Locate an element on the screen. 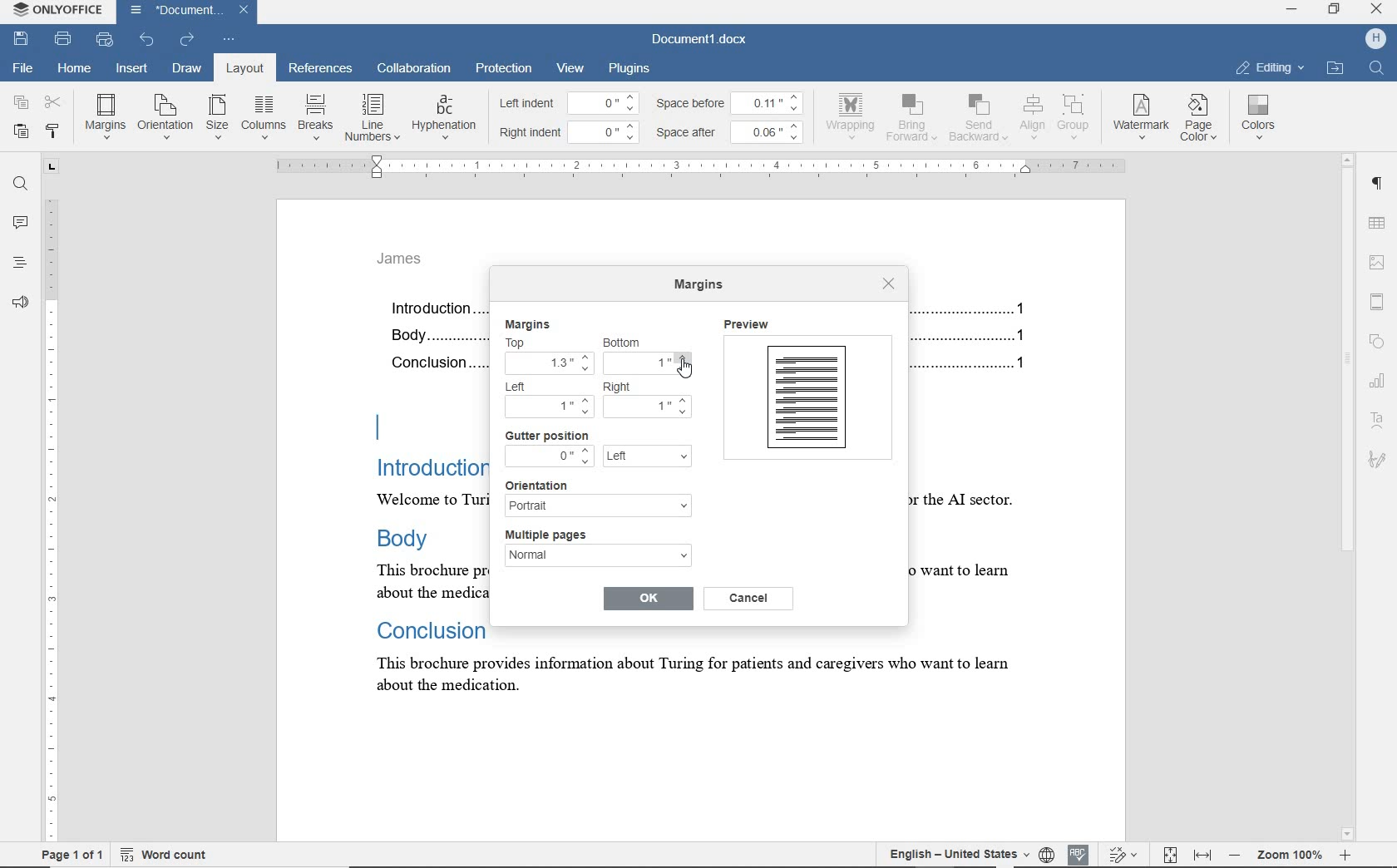 This screenshot has width=1397, height=868. shape is located at coordinates (1377, 340).